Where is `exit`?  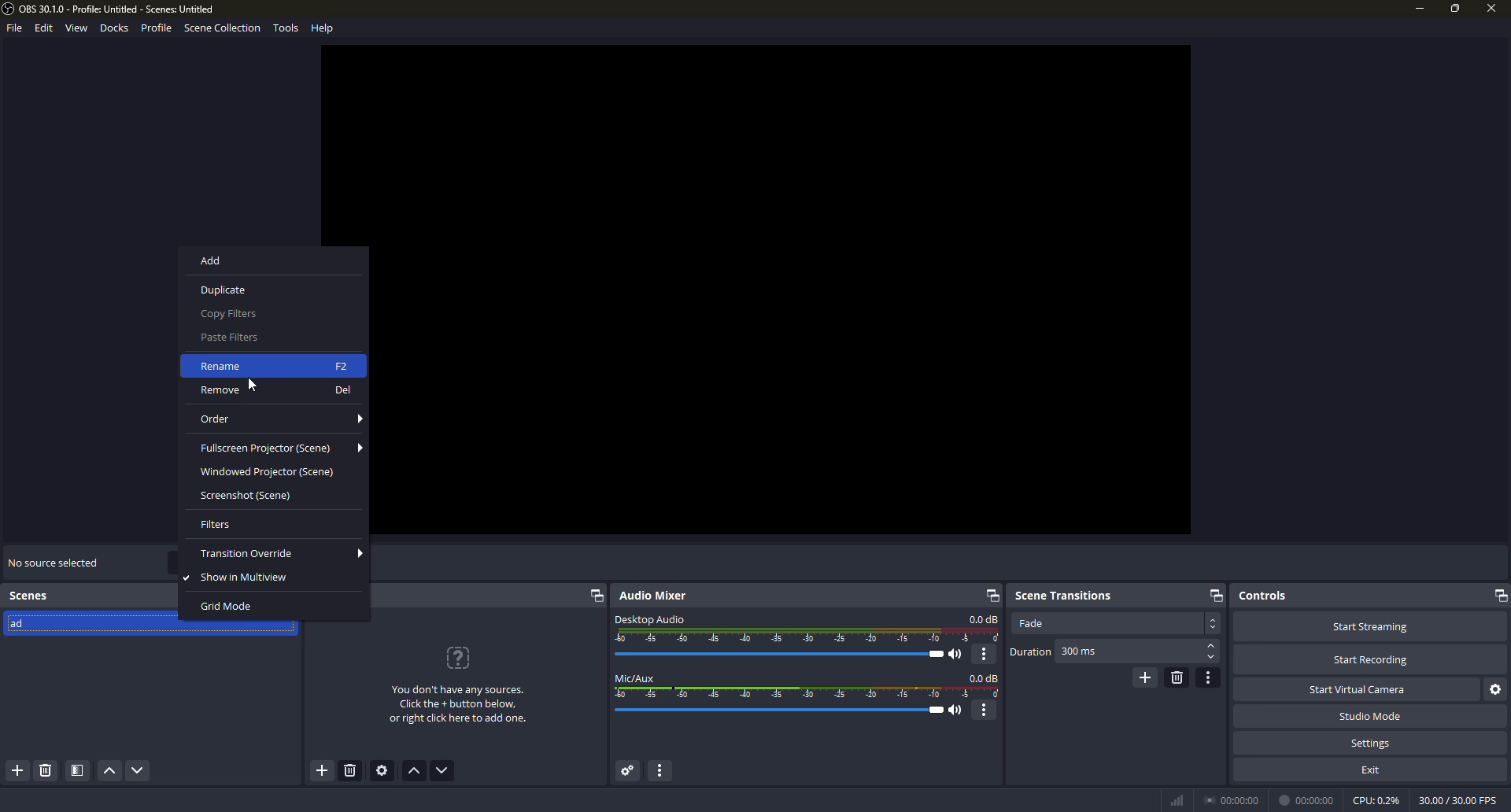
exit is located at coordinates (1372, 769).